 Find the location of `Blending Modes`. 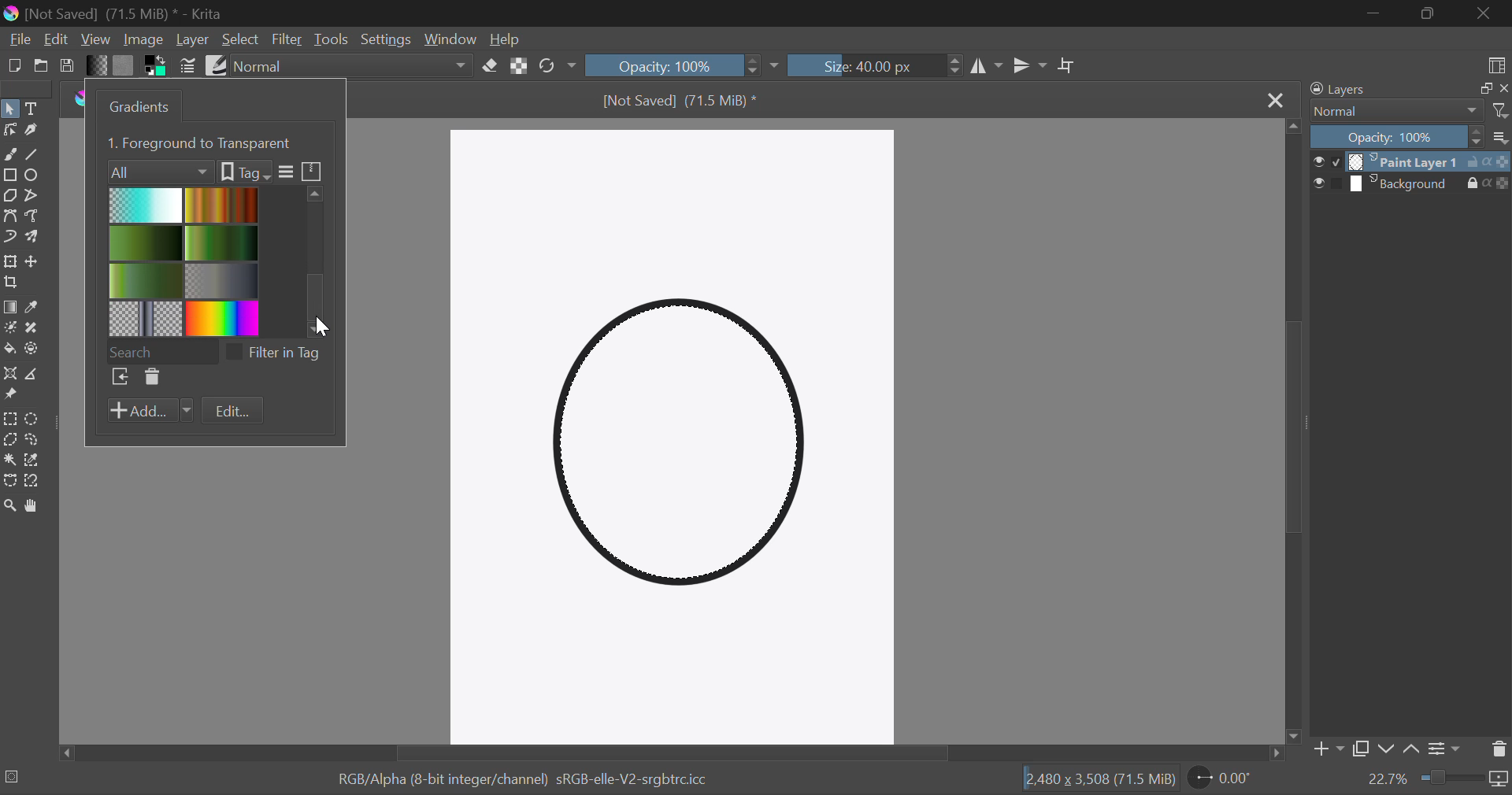

Blending Modes is located at coordinates (350, 65).